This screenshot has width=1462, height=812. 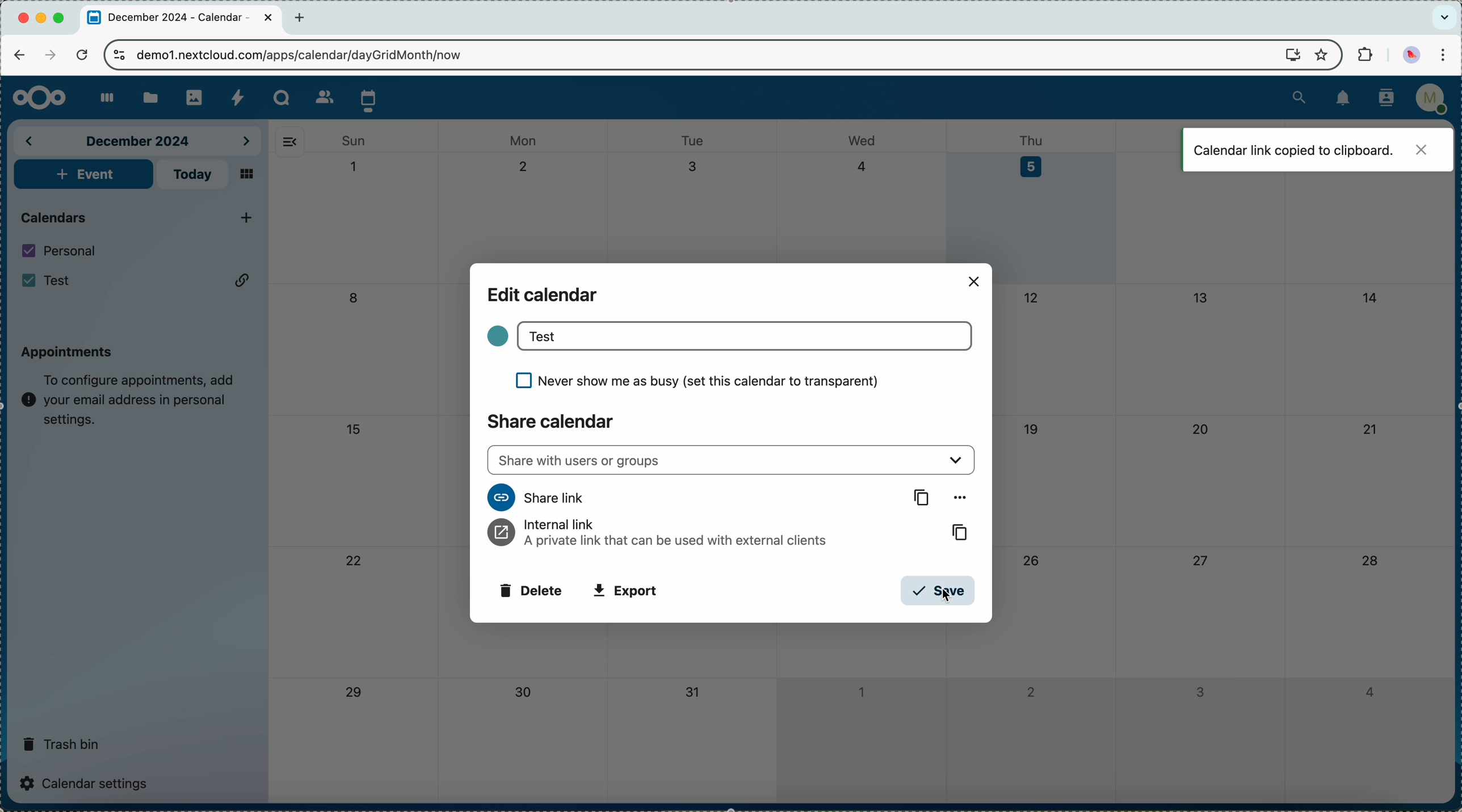 What do you see at coordinates (247, 175) in the screenshot?
I see `mosaic view` at bounding box center [247, 175].